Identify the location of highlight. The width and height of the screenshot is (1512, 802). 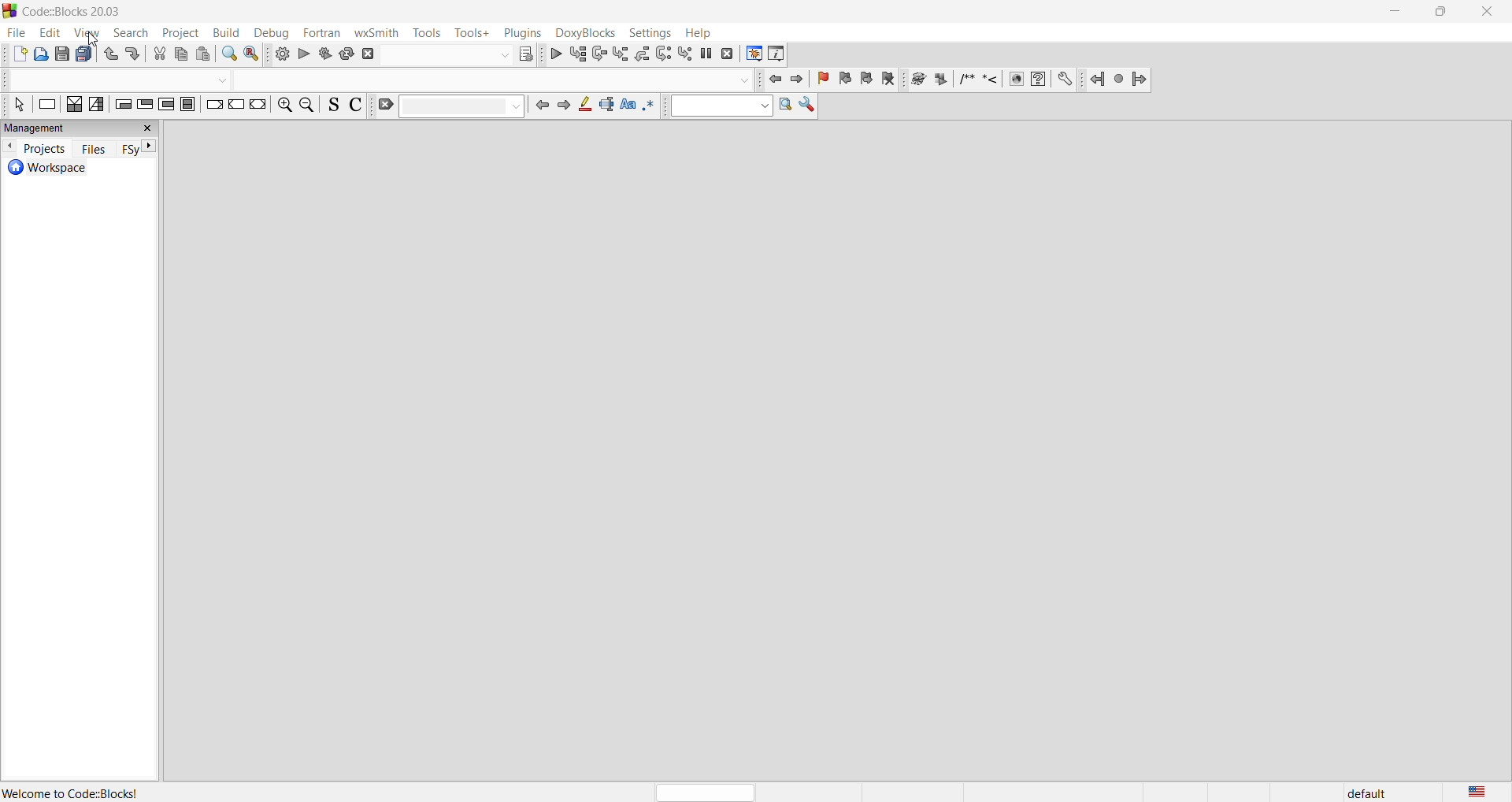
(587, 106).